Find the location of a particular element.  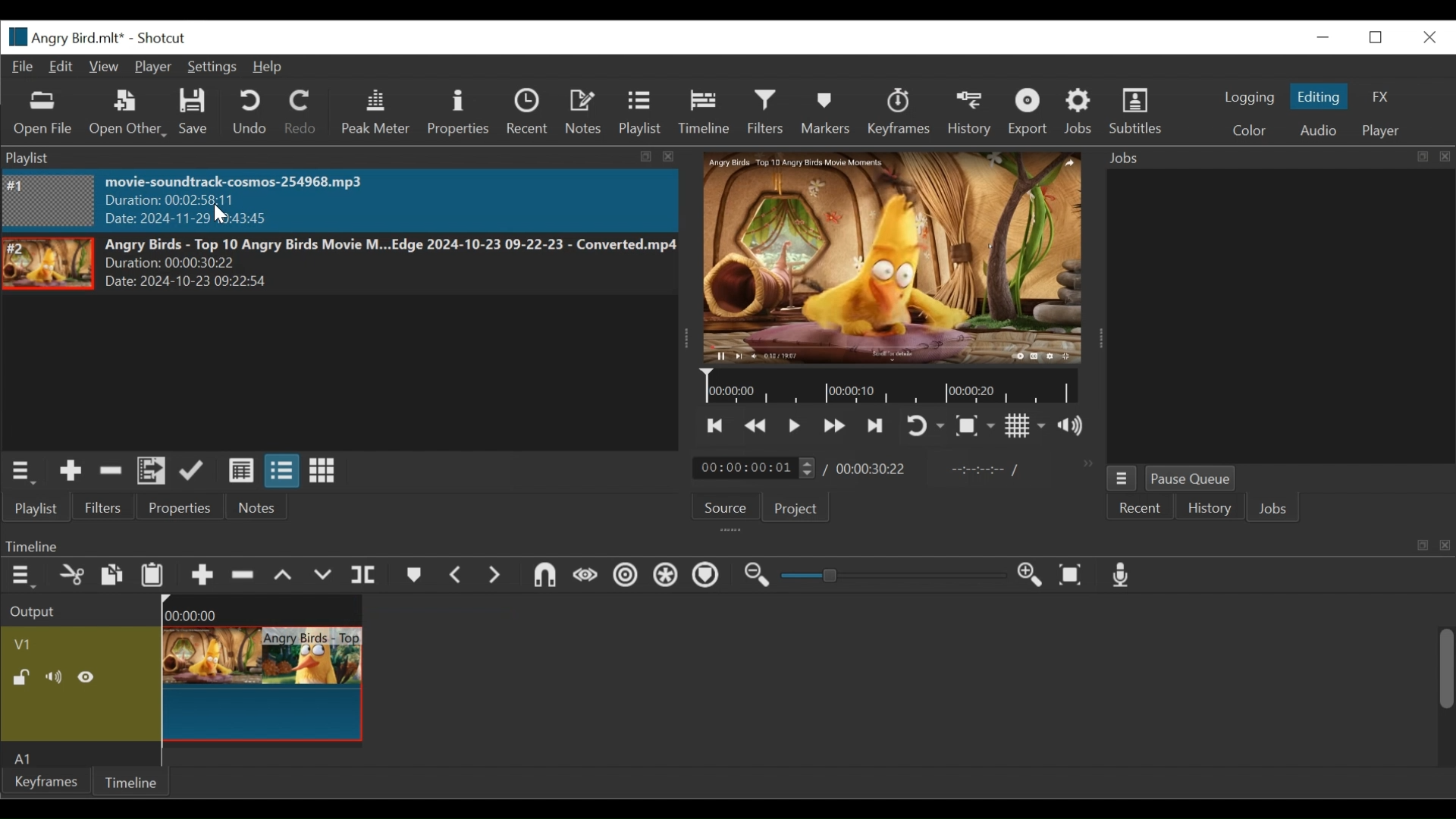

Hide is located at coordinates (88, 678).